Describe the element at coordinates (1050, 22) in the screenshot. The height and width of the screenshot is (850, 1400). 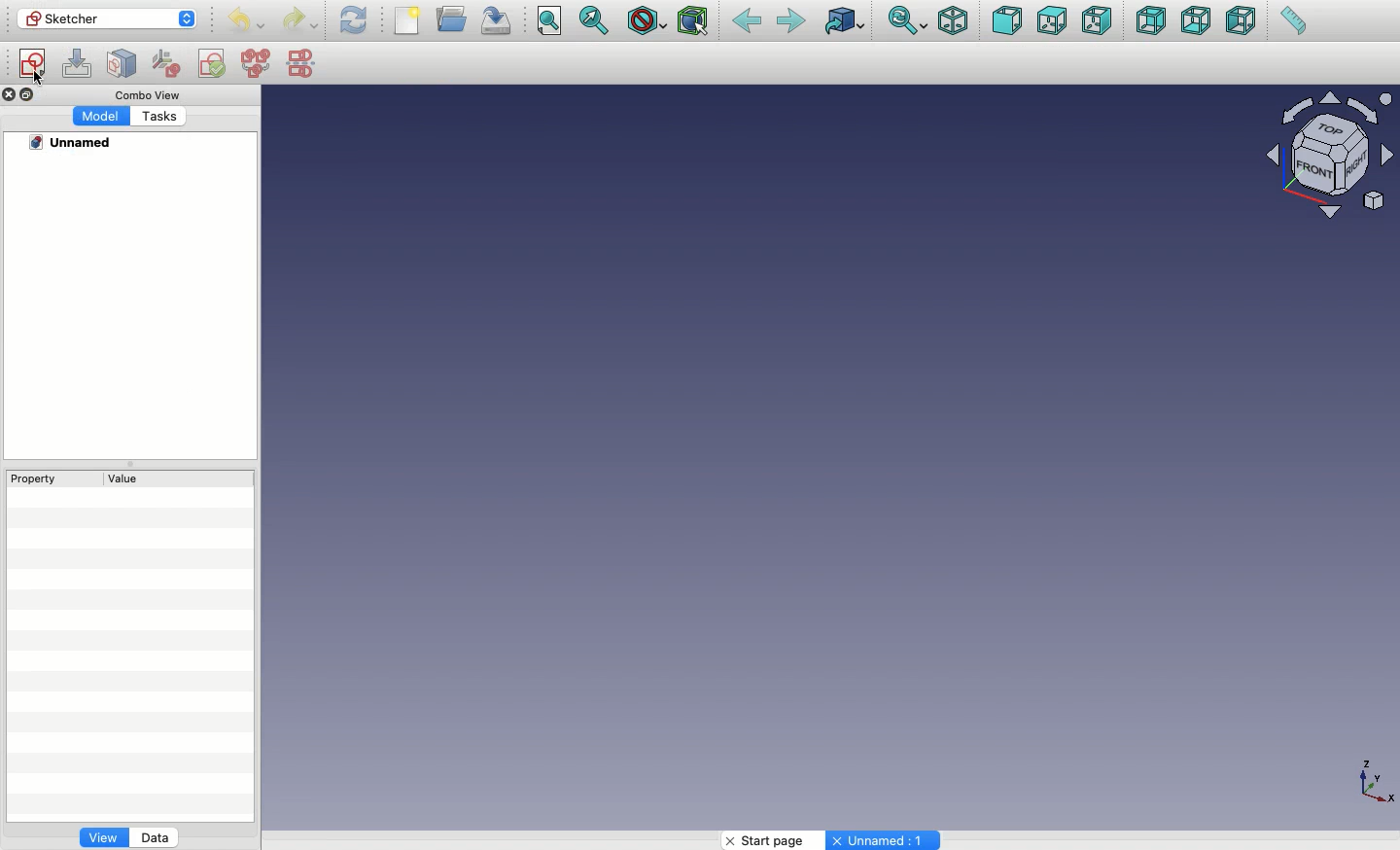
I see `Top` at that location.